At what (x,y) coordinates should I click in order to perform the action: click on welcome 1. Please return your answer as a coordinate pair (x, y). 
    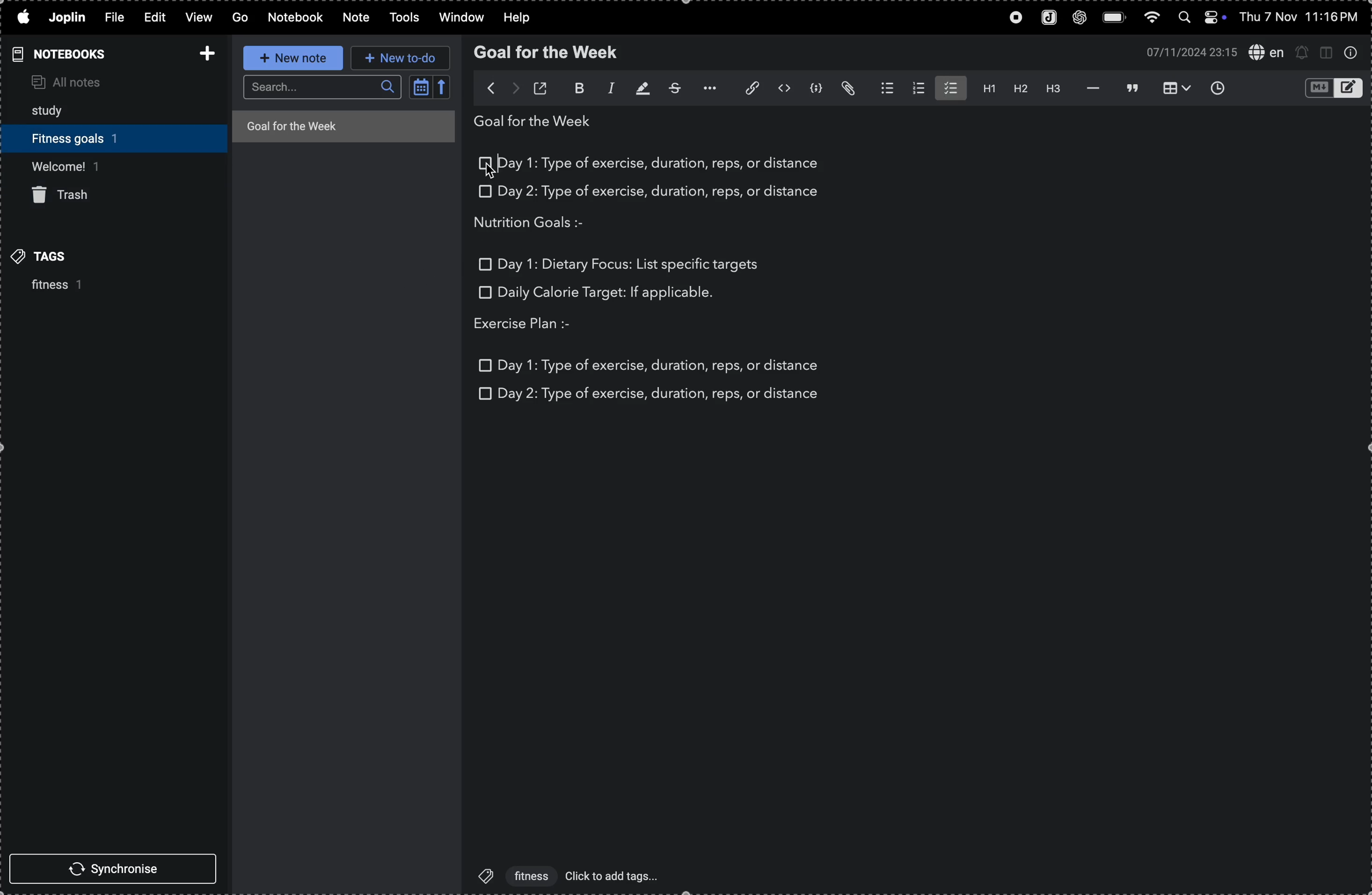
    Looking at the image, I should click on (107, 166).